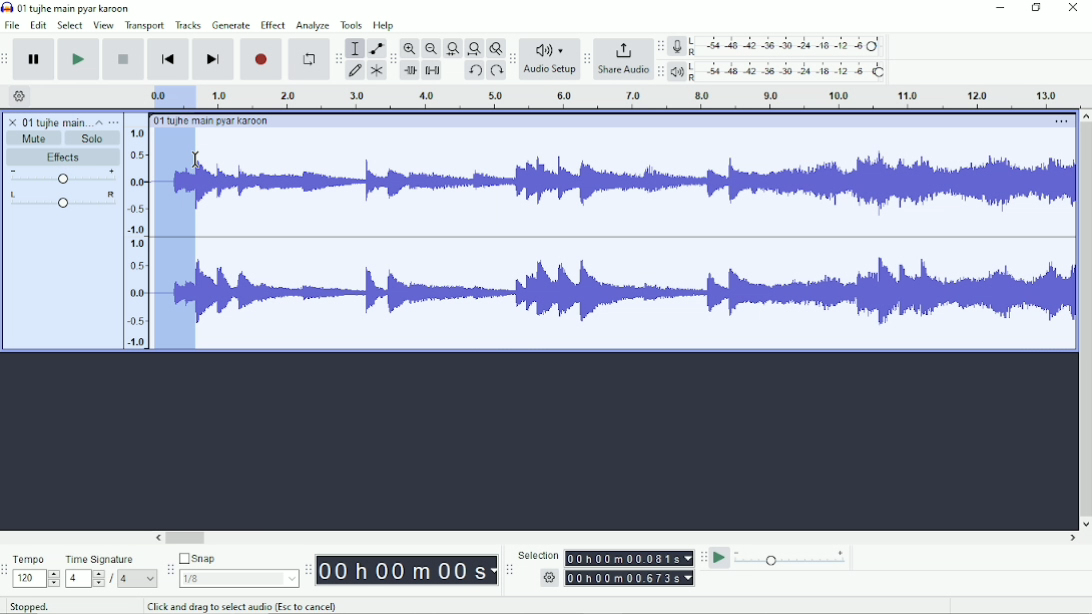 This screenshot has width=1092, height=614. I want to click on Snap, so click(238, 559).